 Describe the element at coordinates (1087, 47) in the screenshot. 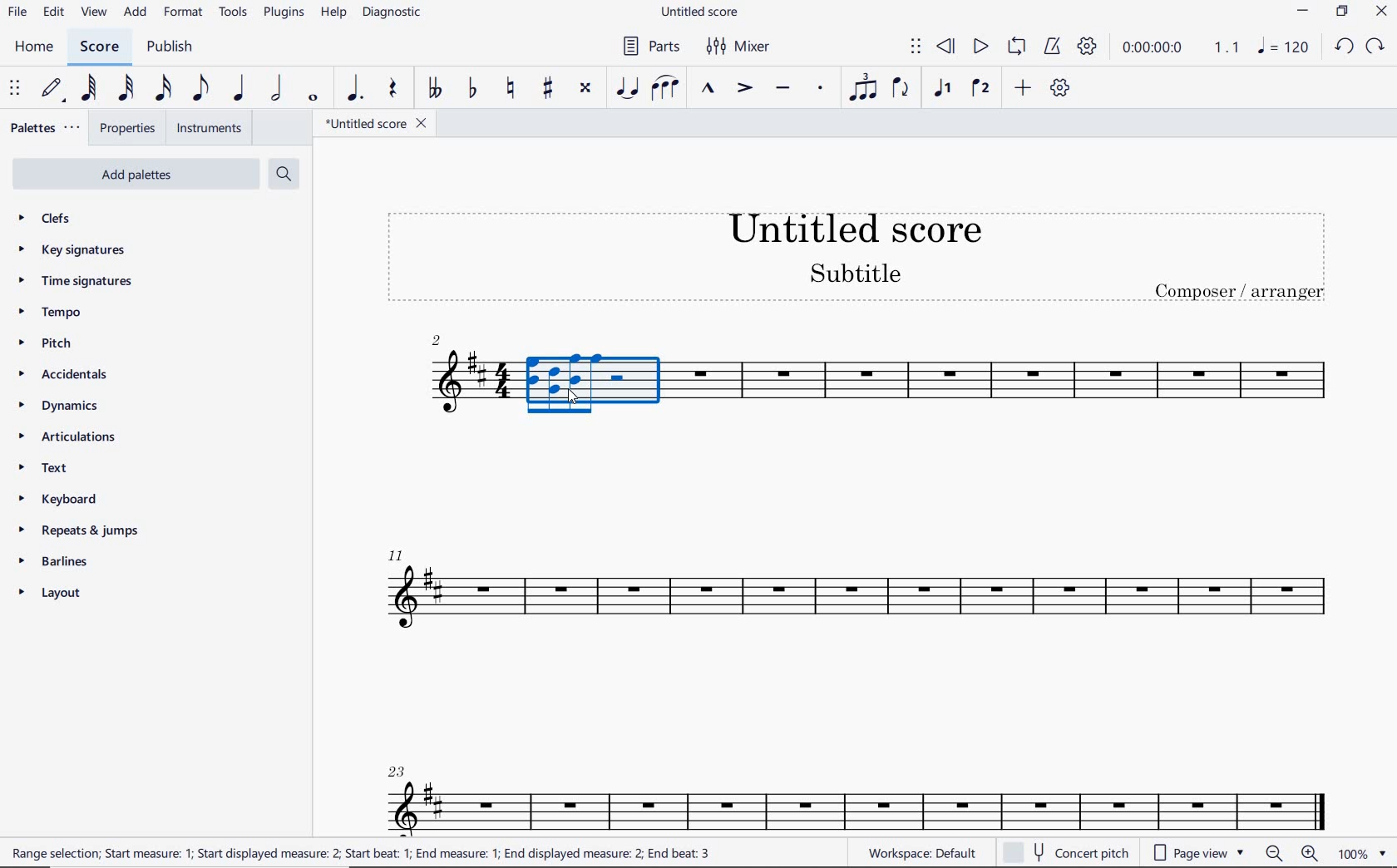

I see `PLAYBACK SETTINGS` at that location.